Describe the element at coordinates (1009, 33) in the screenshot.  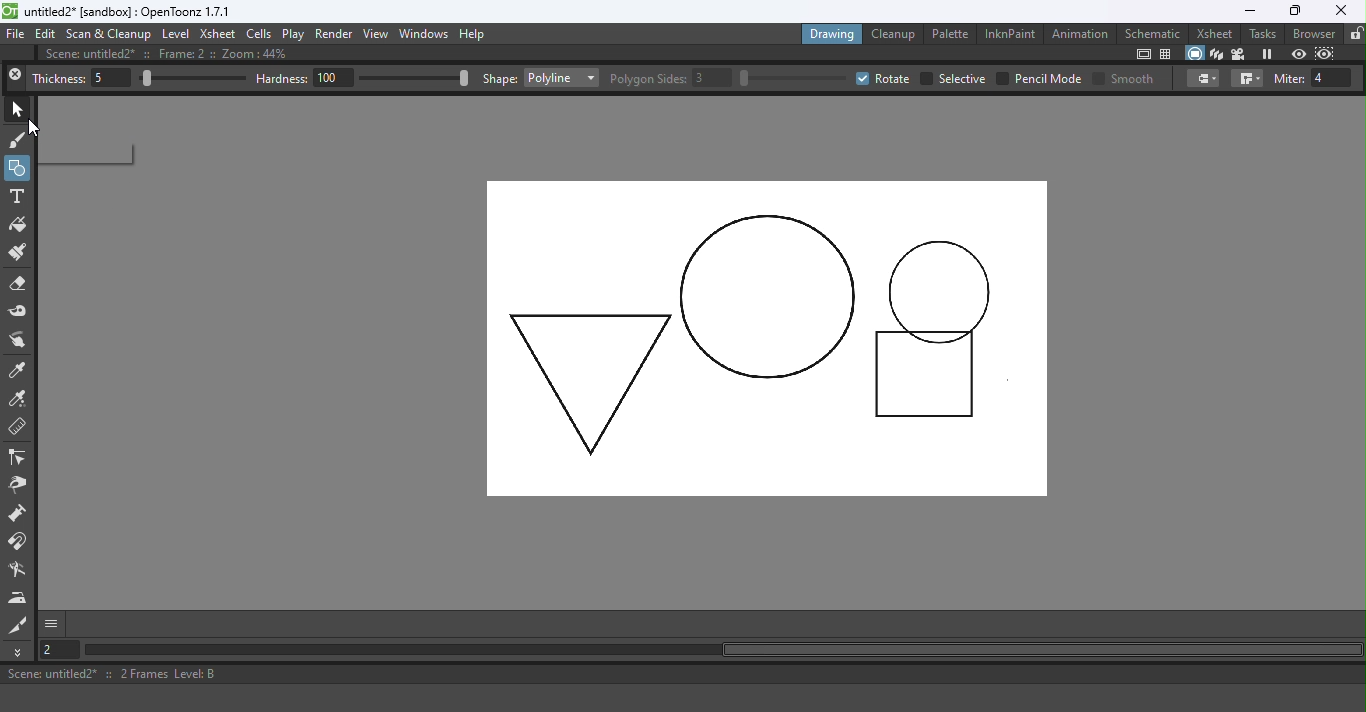
I see `InknPaint` at that location.